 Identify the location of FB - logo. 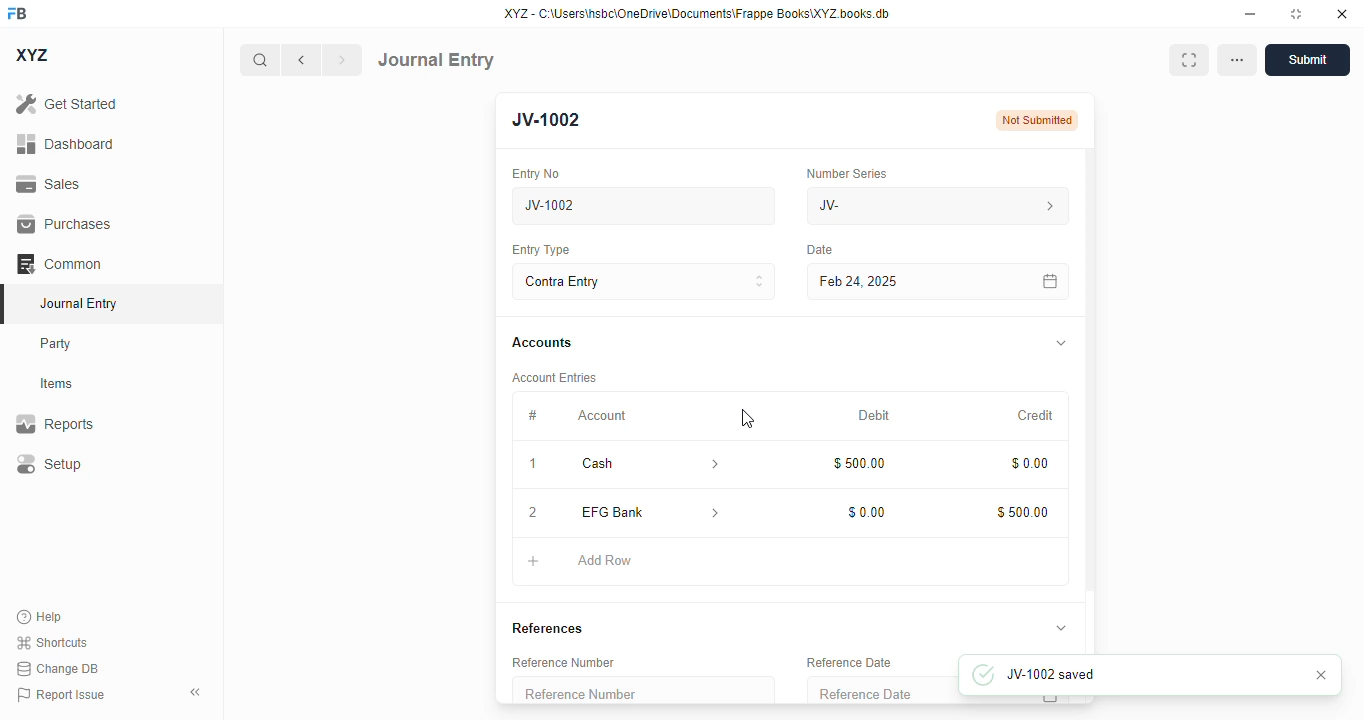
(17, 13).